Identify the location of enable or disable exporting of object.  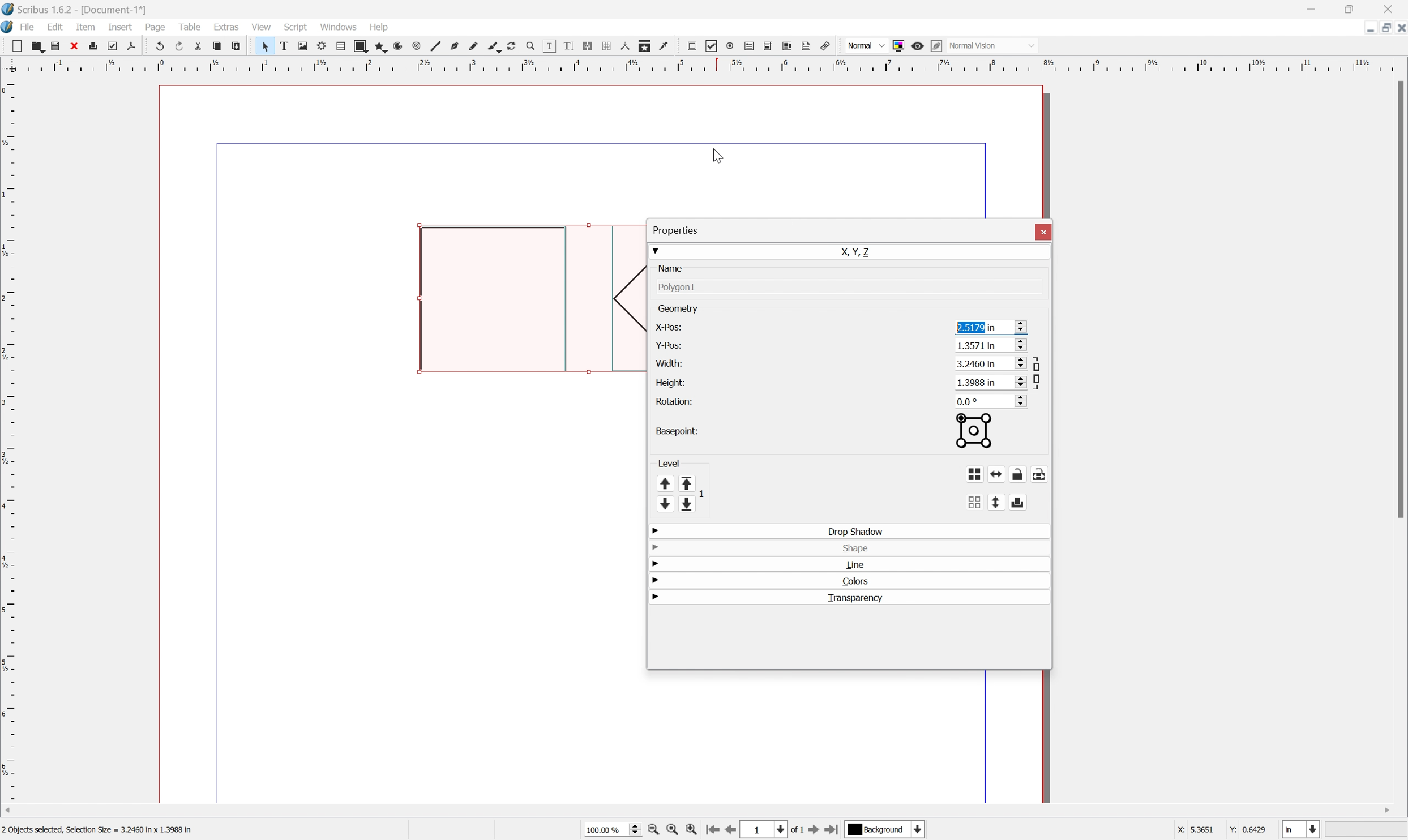
(1020, 500).